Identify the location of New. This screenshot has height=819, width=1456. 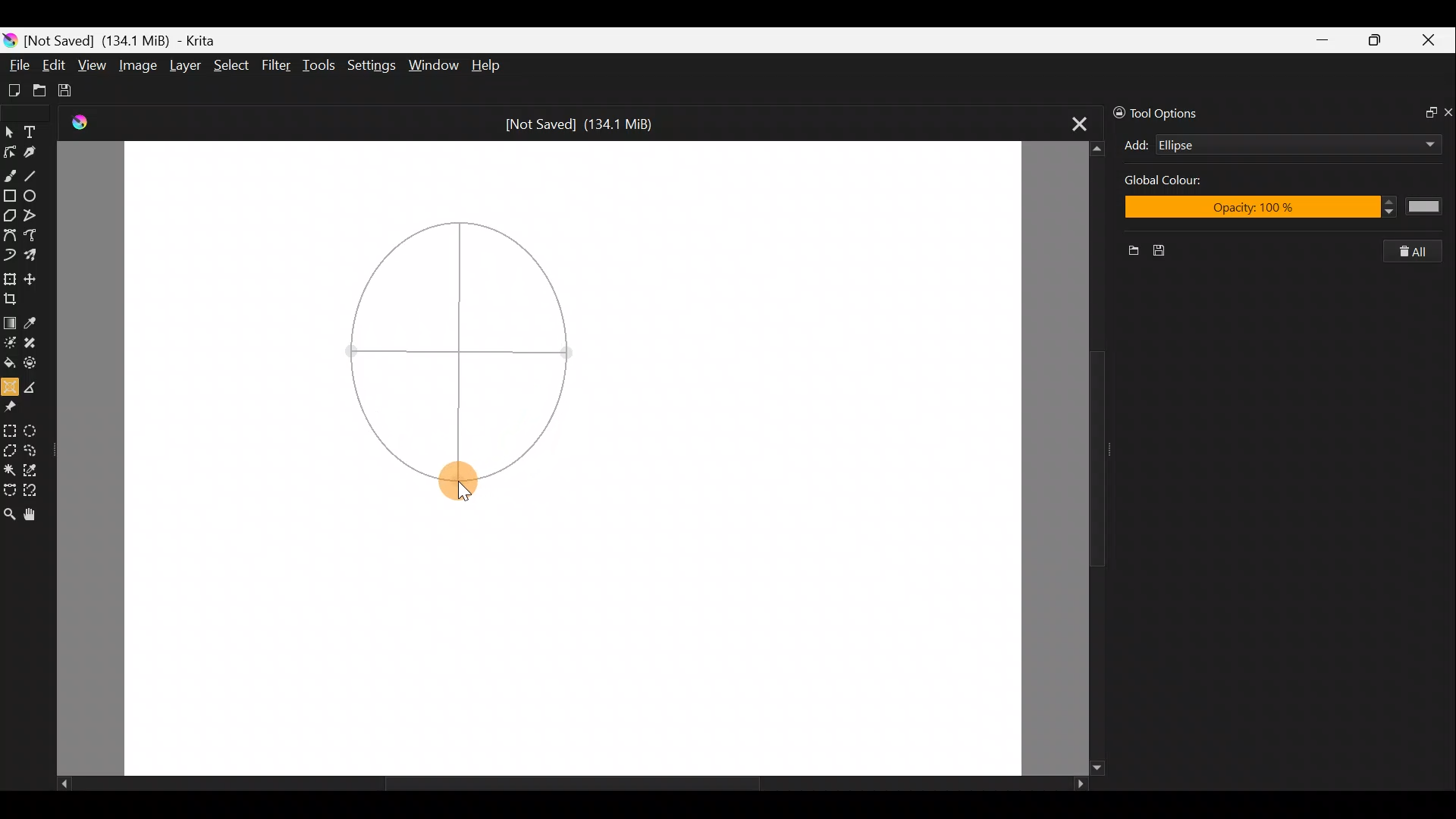
(1128, 253).